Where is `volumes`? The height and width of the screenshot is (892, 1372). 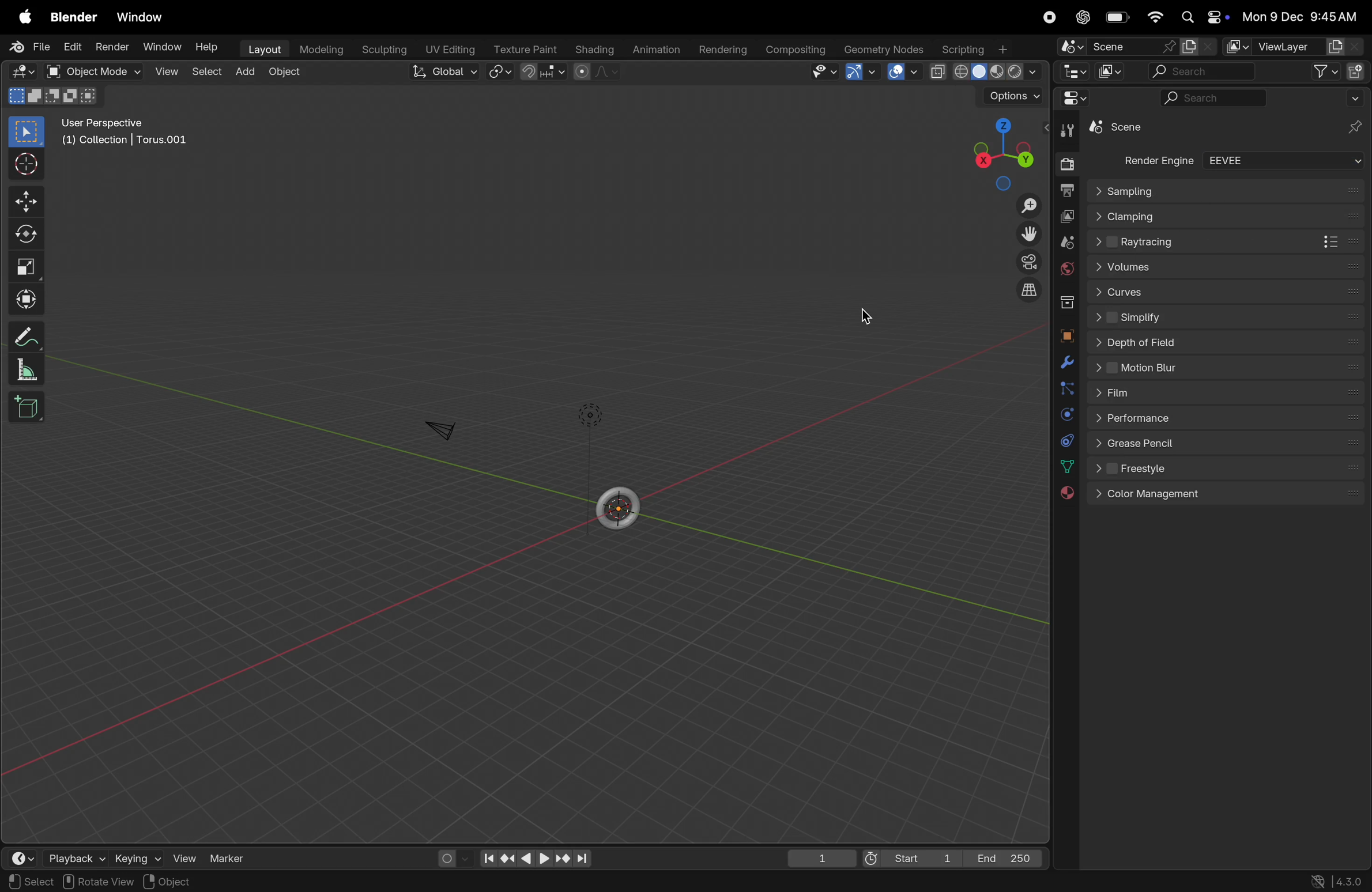 volumes is located at coordinates (1224, 267).